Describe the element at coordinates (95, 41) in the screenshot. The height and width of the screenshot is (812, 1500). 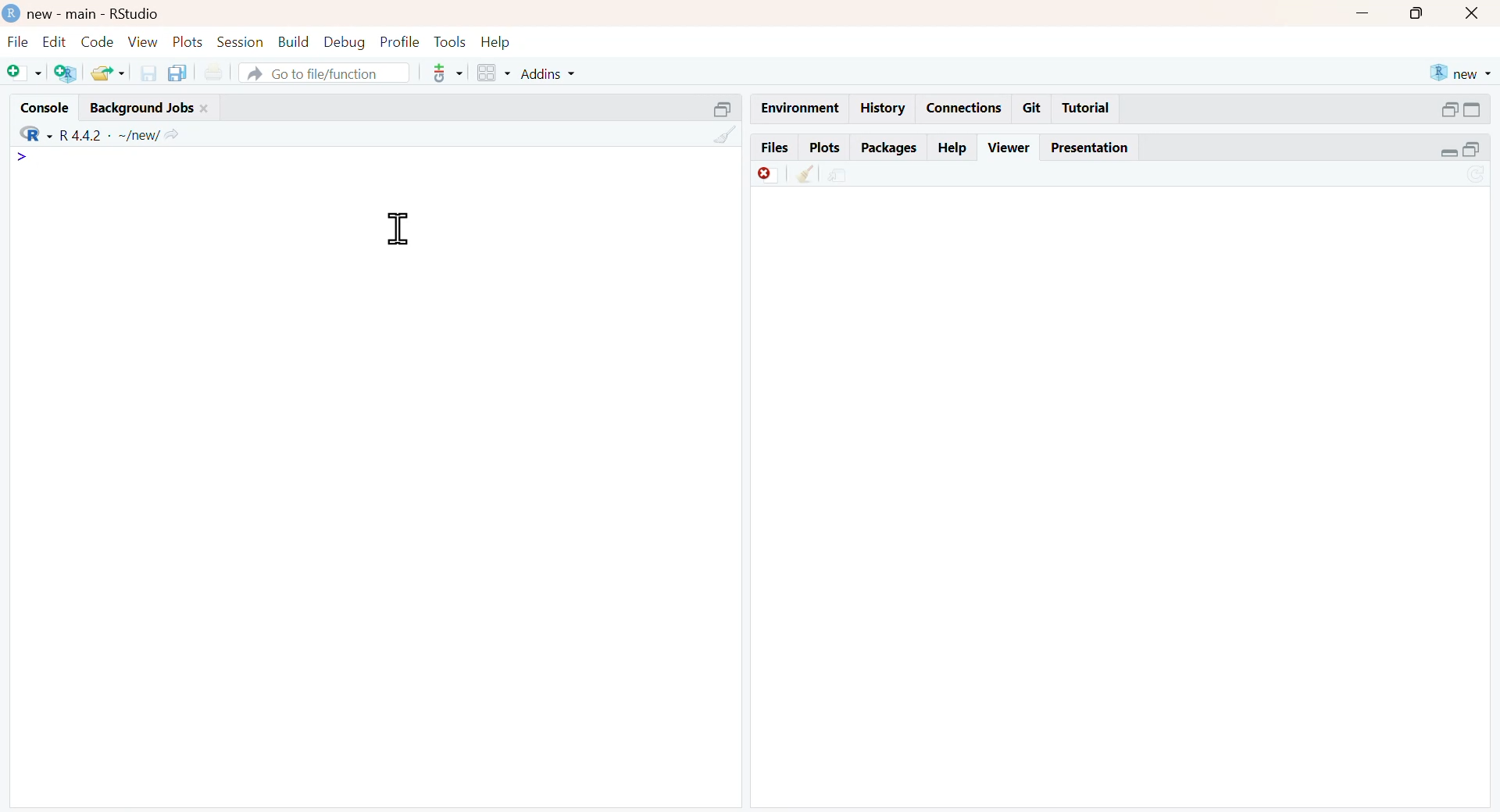
I see `Code` at that location.